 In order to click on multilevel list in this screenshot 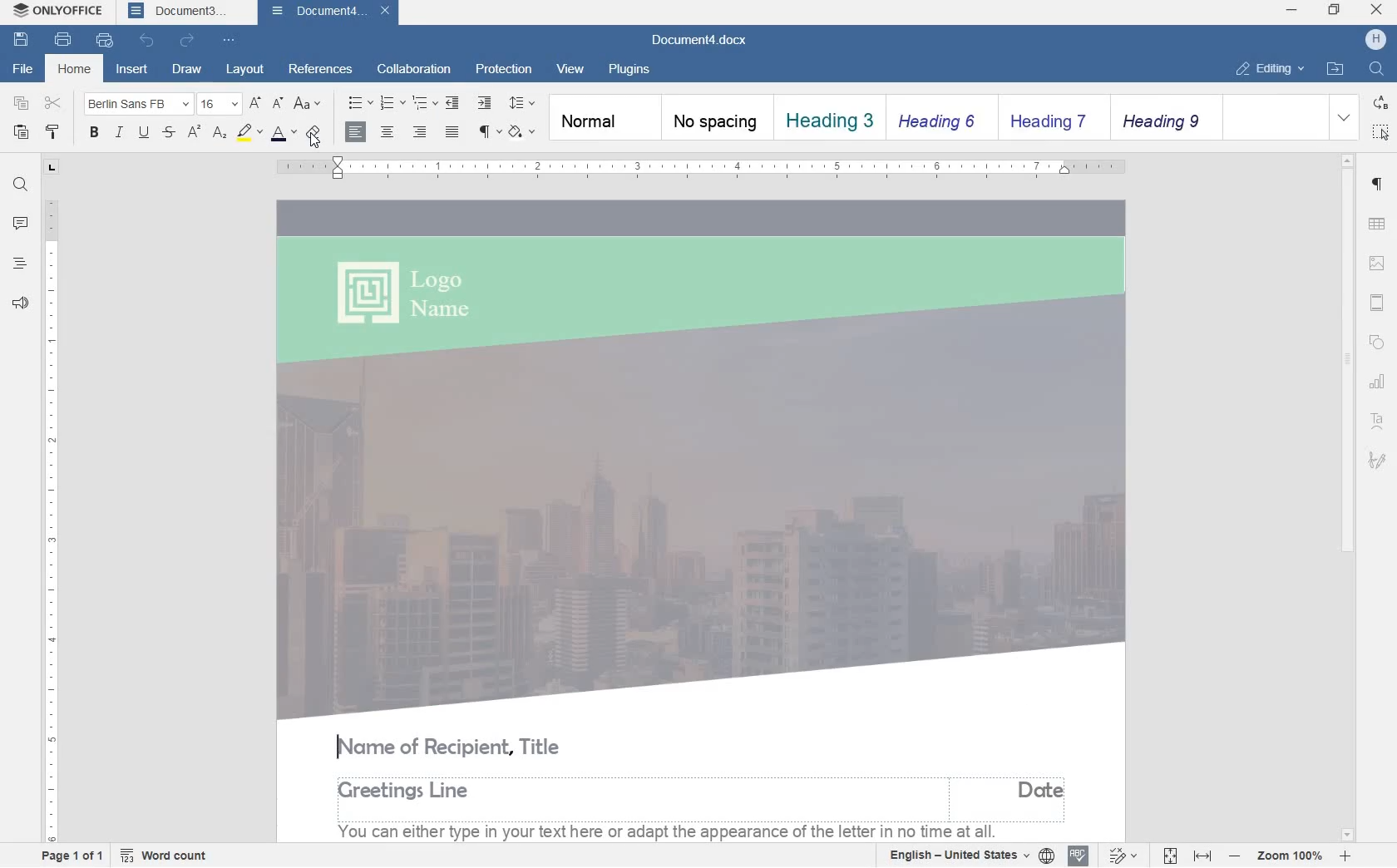, I will do `click(422, 102)`.